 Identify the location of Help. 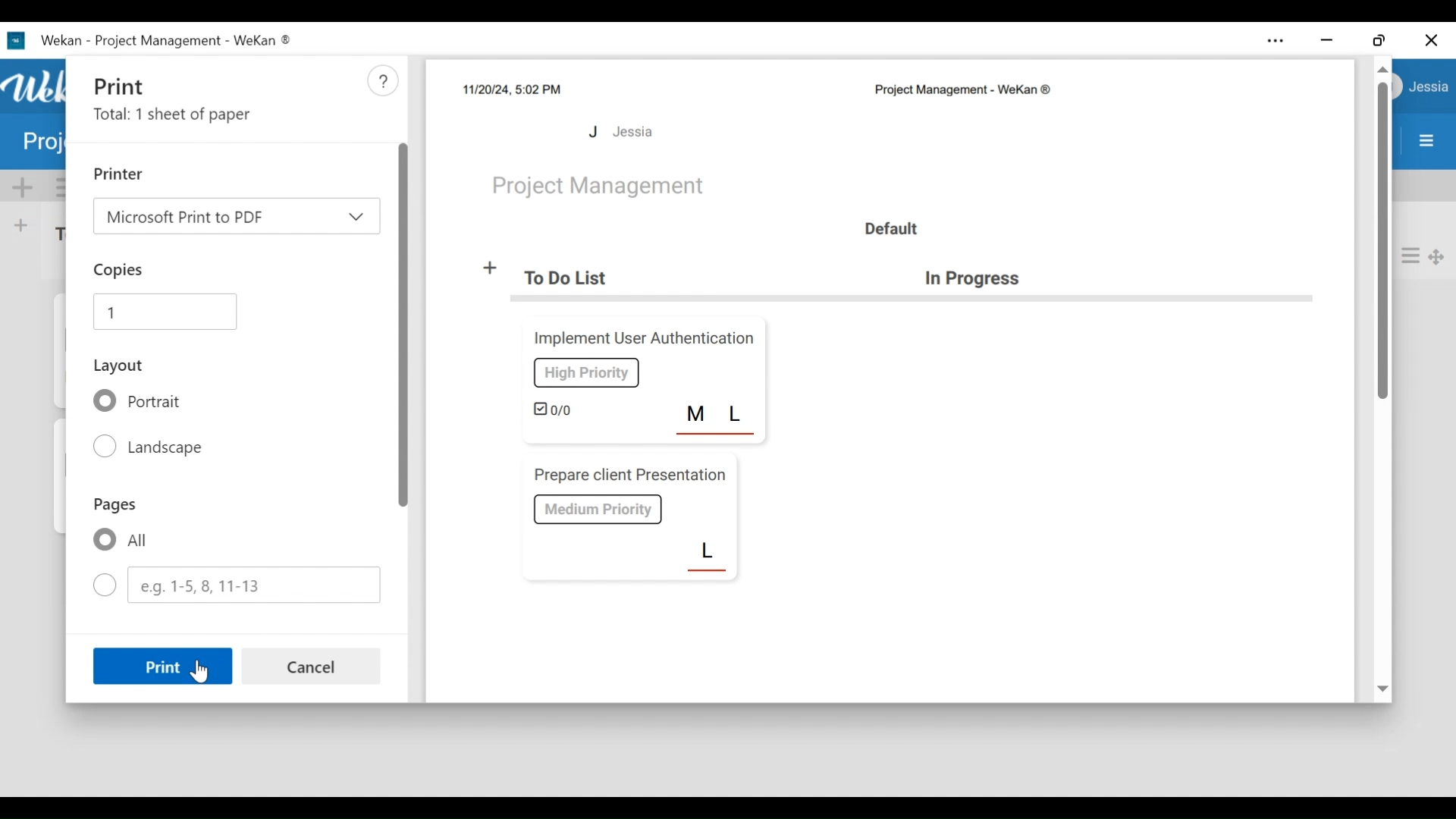
(381, 81).